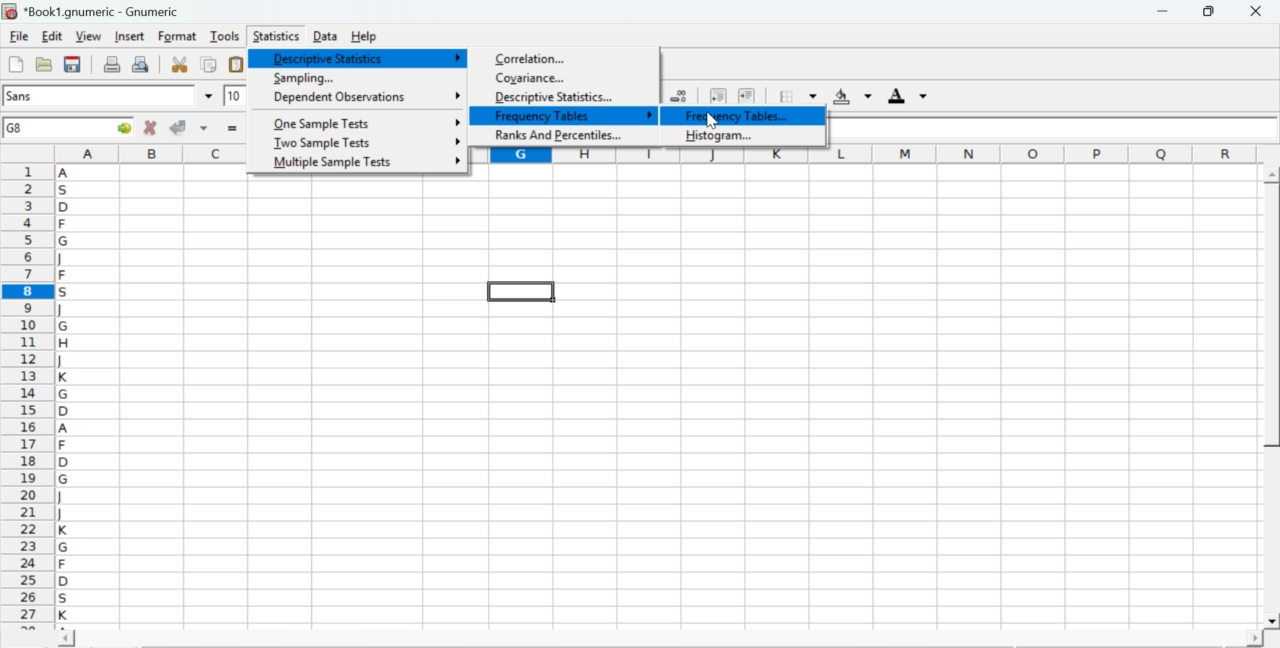 The image size is (1280, 648). I want to click on frequency tables..., so click(738, 115).